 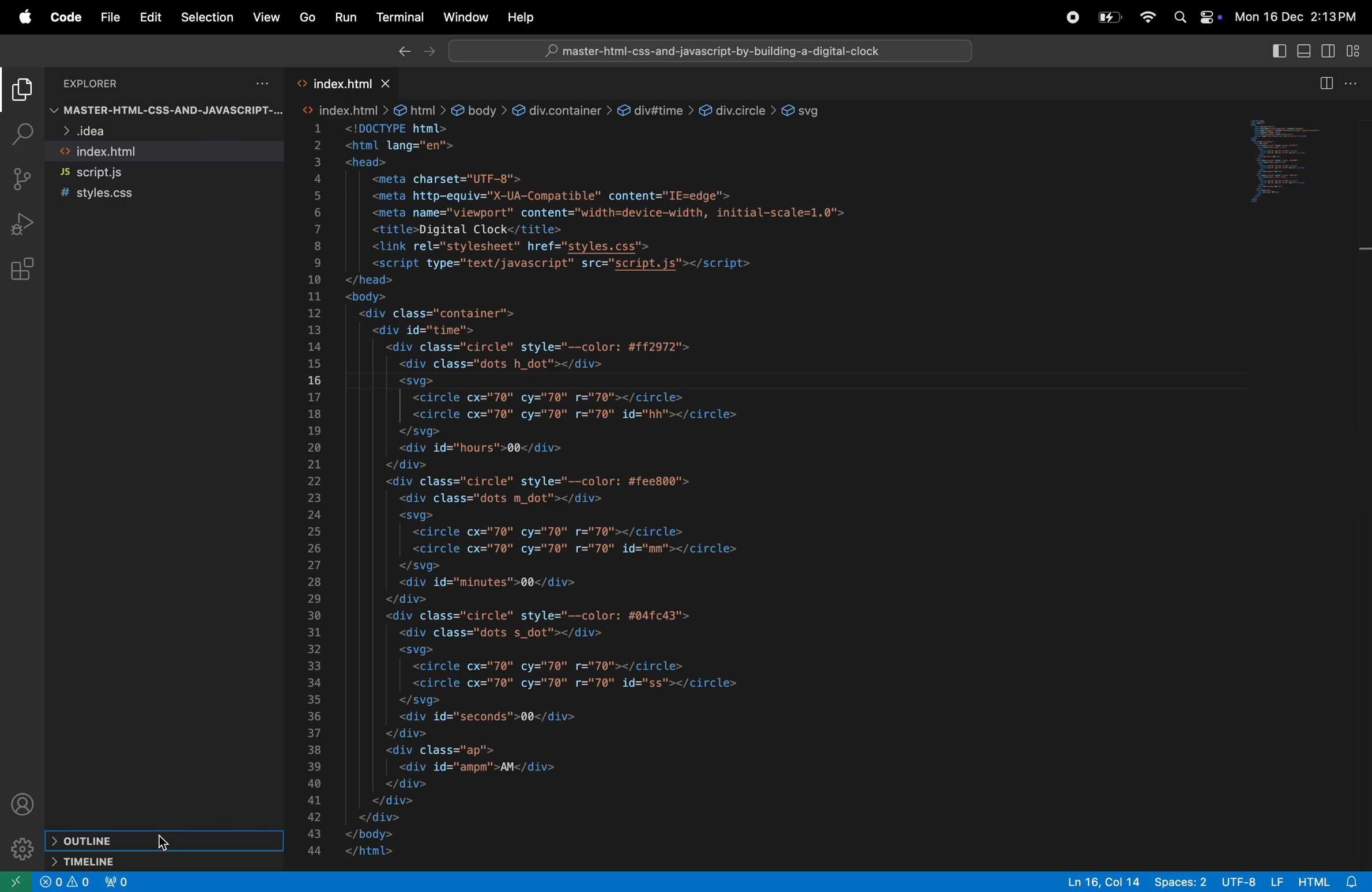 I want to click on toggle primary side bar, so click(x=1278, y=50).